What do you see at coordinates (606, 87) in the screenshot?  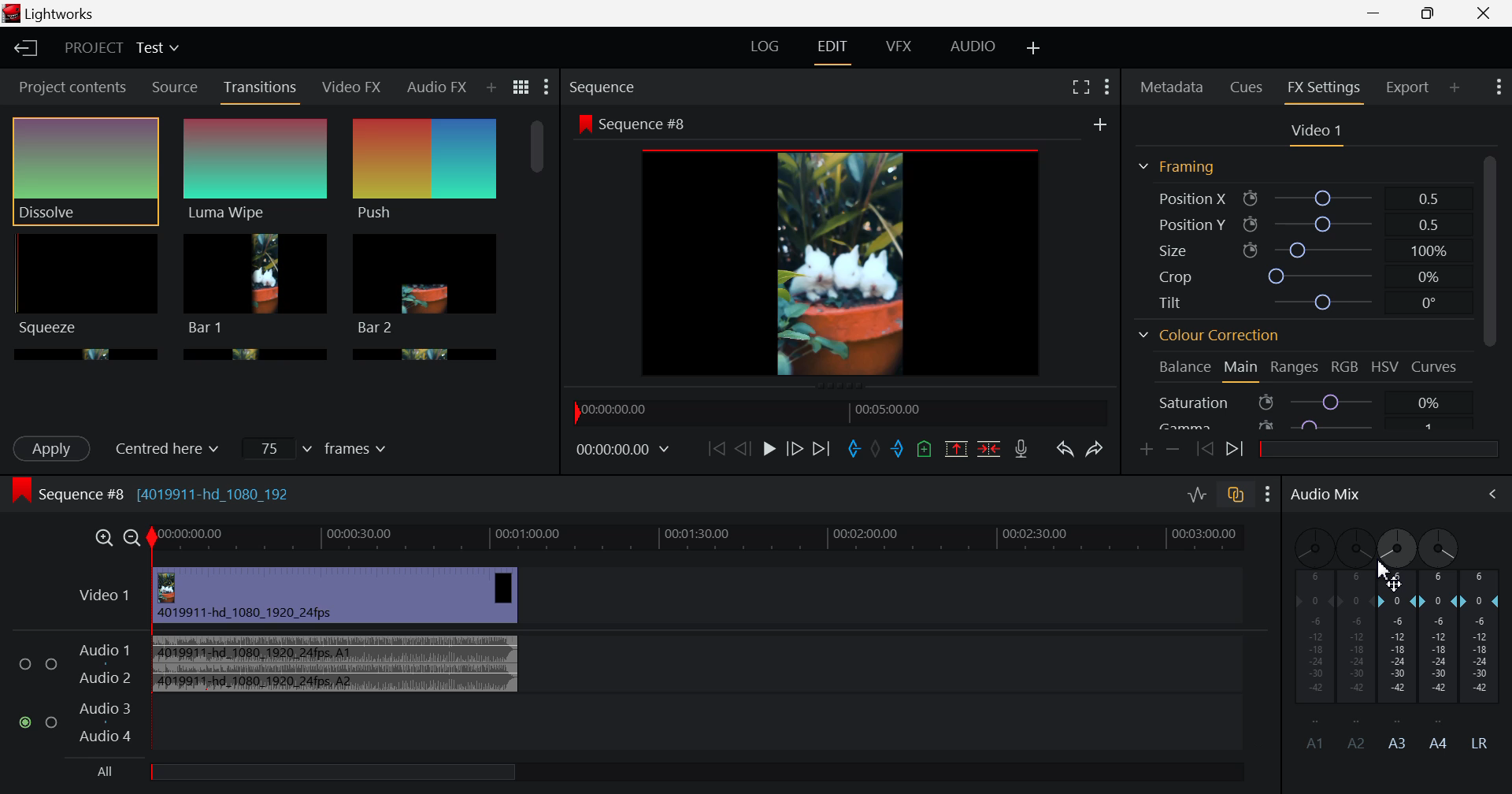 I see `Sequence Preview Section` at bounding box center [606, 87].